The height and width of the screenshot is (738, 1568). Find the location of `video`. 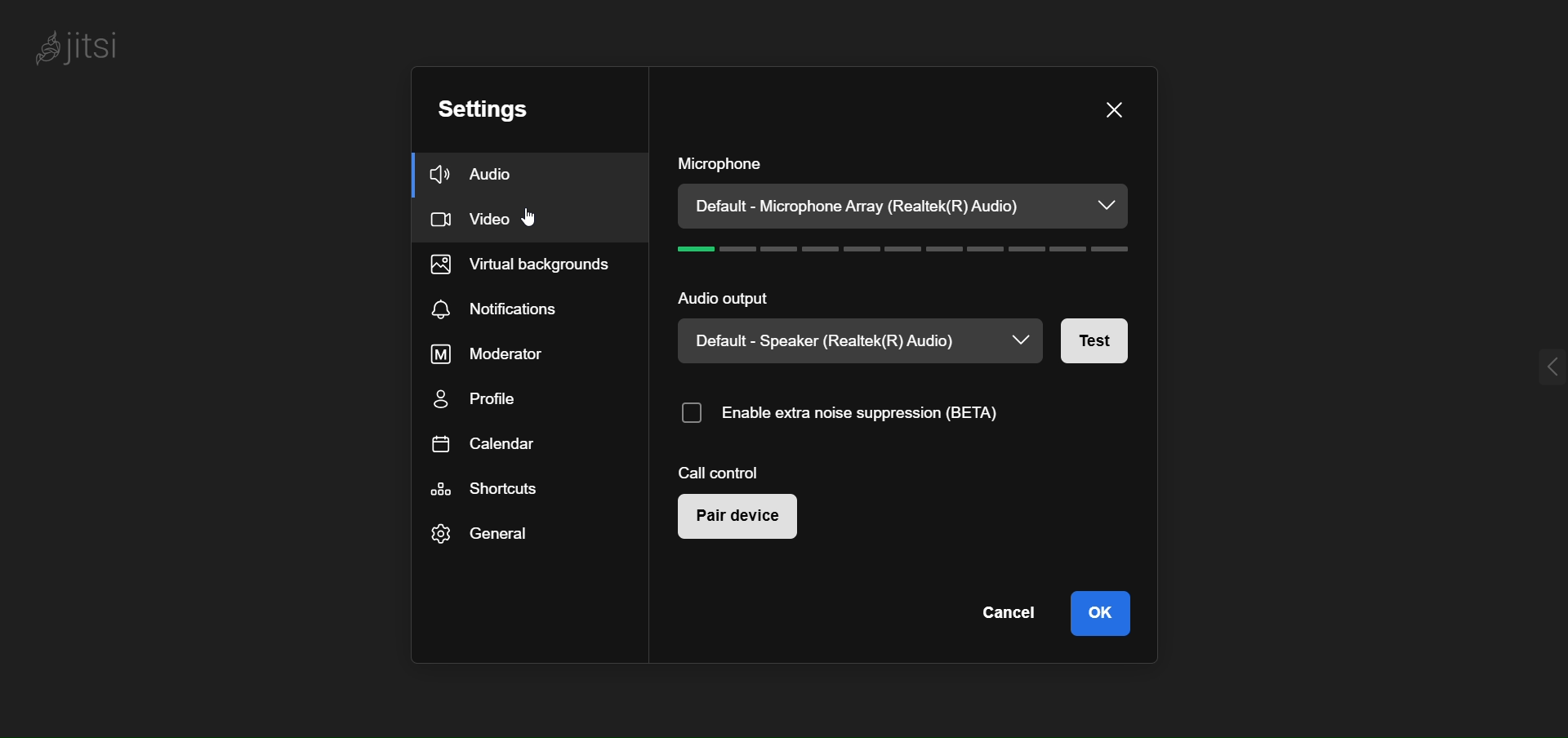

video is located at coordinates (490, 220).